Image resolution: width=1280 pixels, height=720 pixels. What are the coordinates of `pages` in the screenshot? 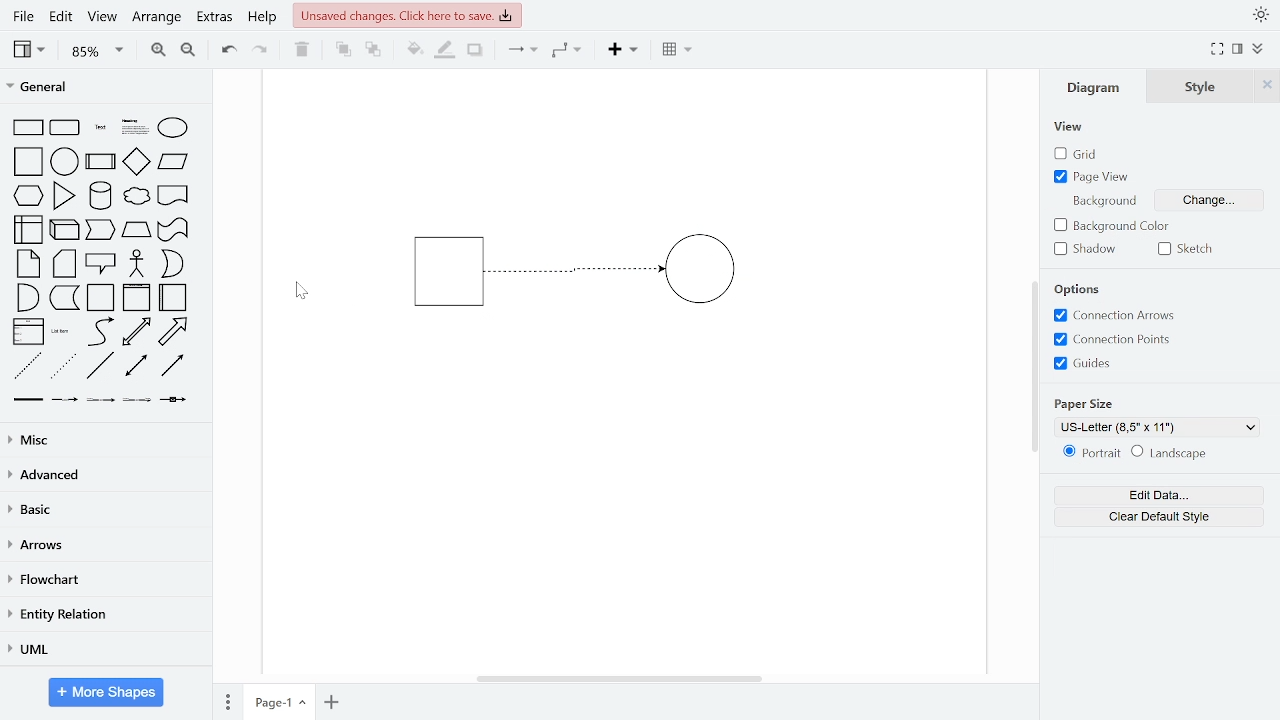 It's located at (226, 699).